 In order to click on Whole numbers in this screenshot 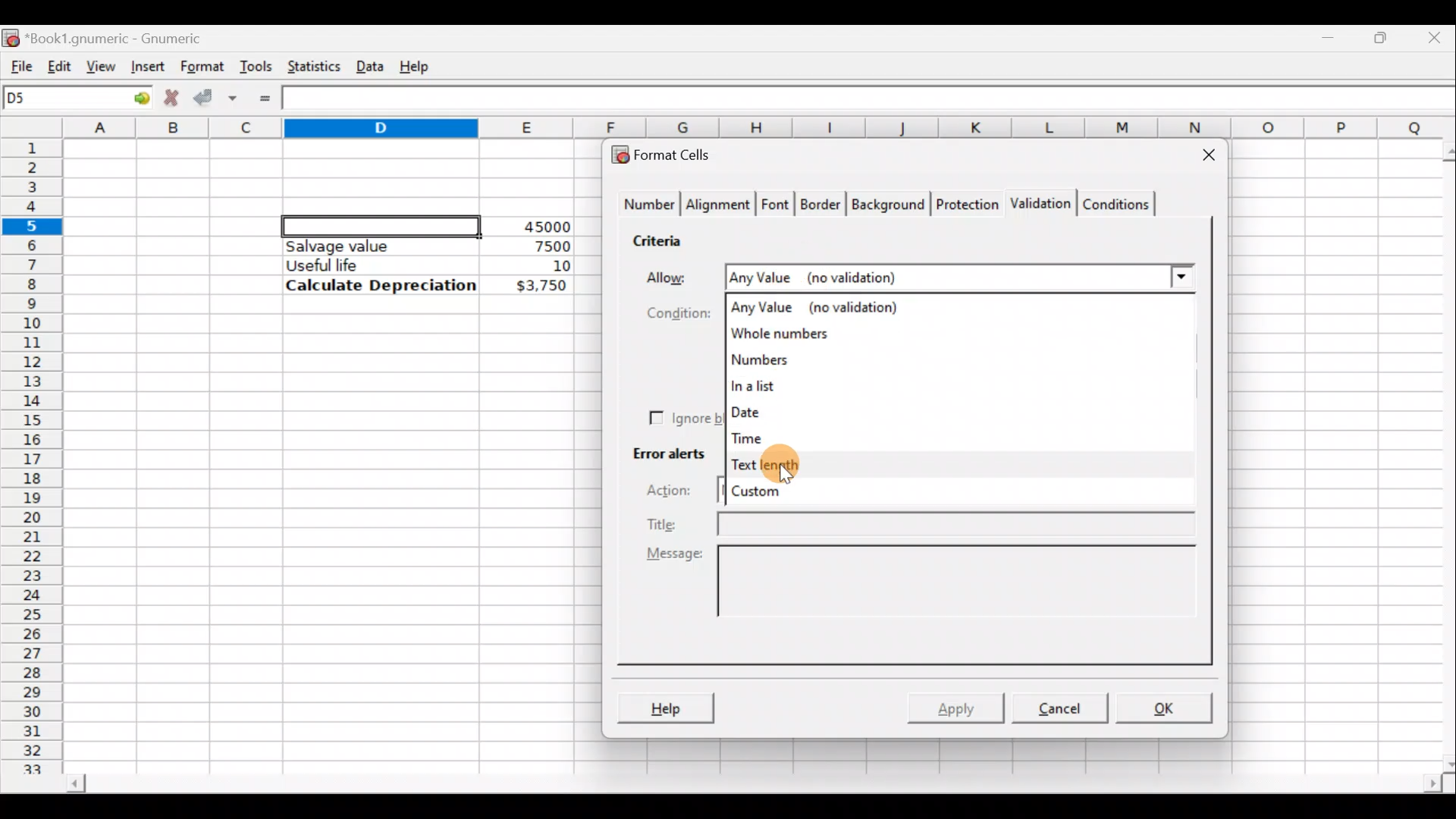, I will do `click(795, 334)`.